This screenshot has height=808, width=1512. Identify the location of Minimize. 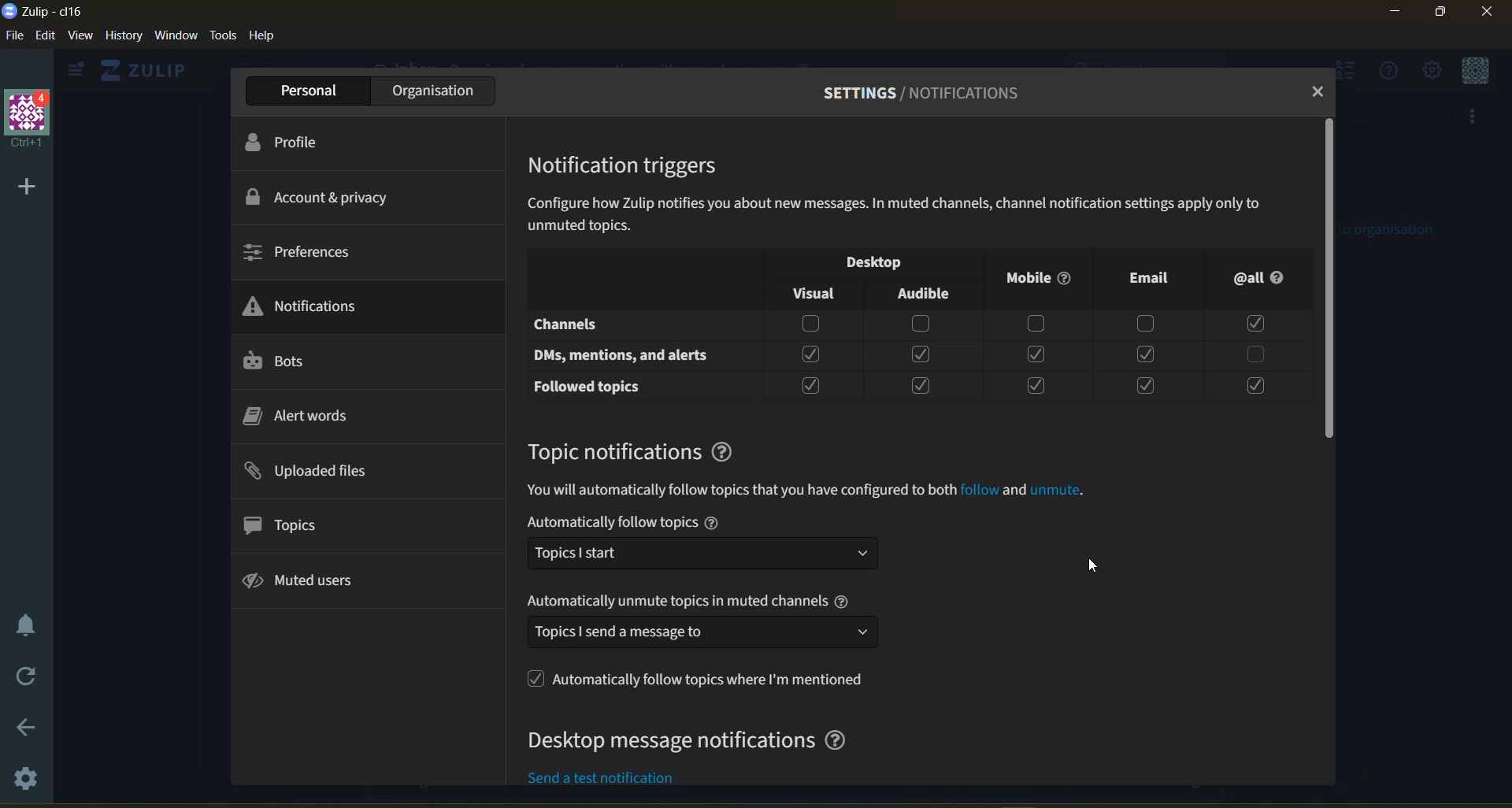
(1395, 13).